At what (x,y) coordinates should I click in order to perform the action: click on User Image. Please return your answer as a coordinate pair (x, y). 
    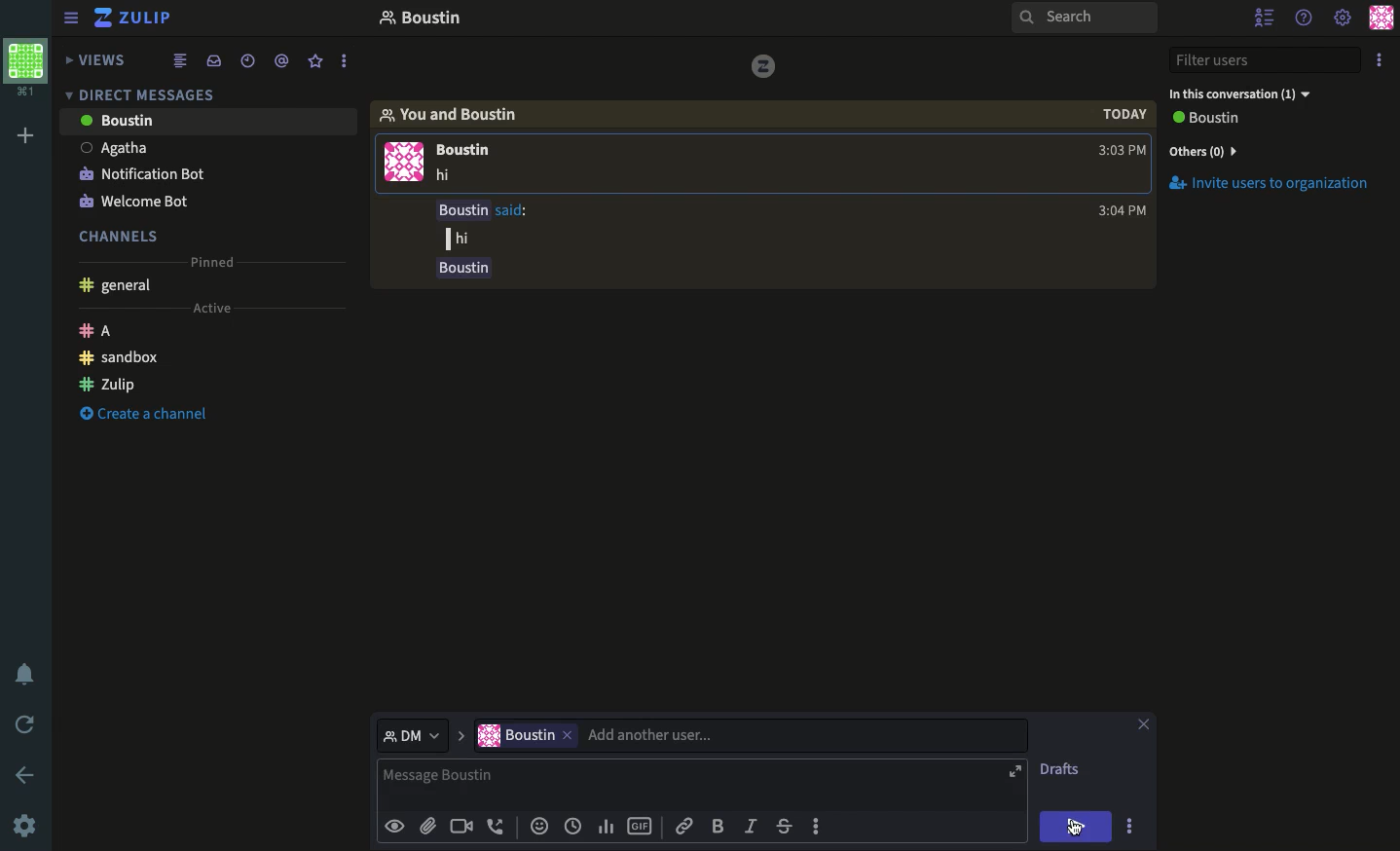
    Looking at the image, I should click on (404, 166).